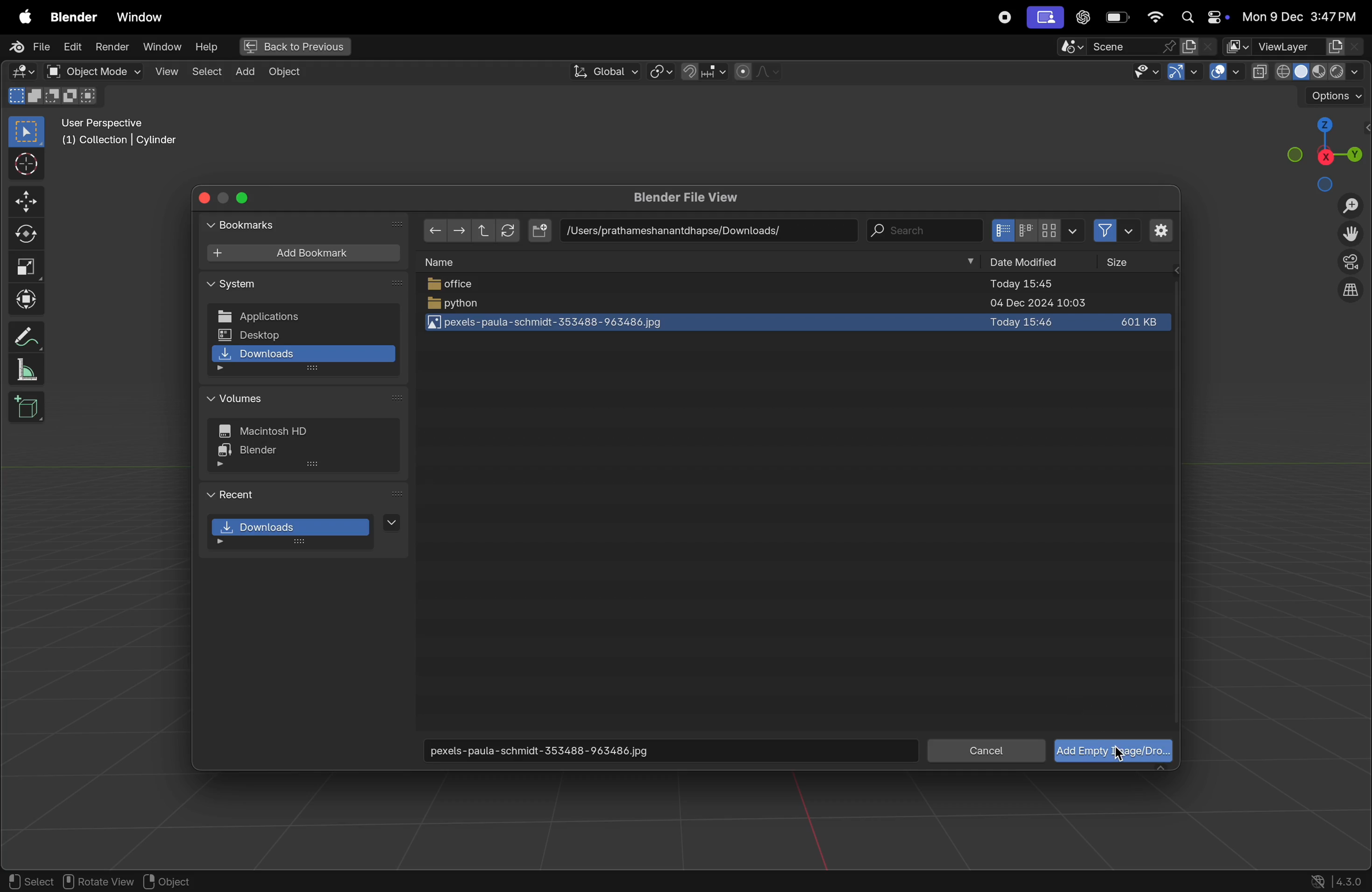 This screenshot has height=892, width=1372. Describe the element at coordinates (244, 399) in the screenshot. I see `volumes` at that location.